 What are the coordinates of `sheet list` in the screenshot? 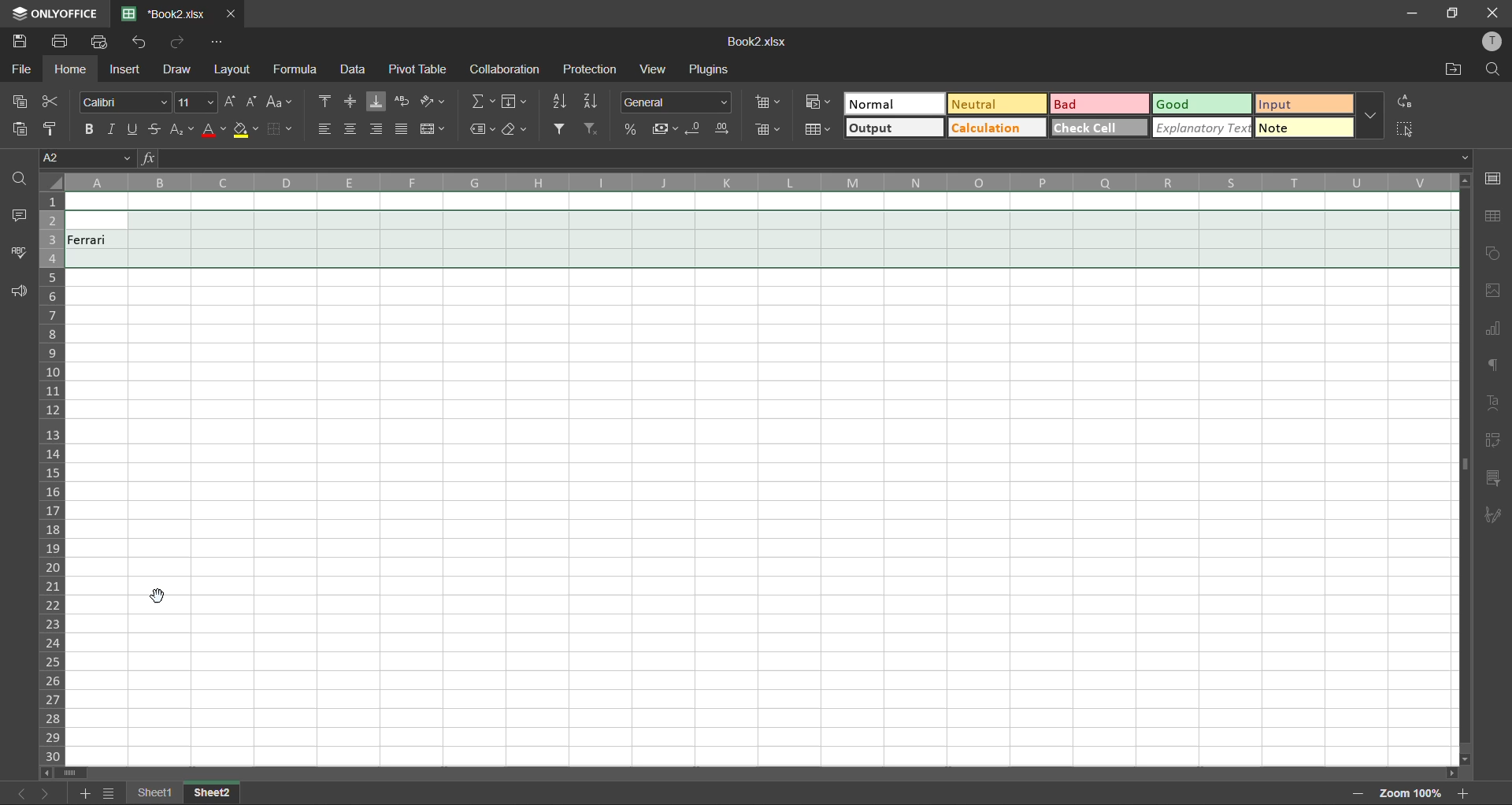 It's located at (111, 793).